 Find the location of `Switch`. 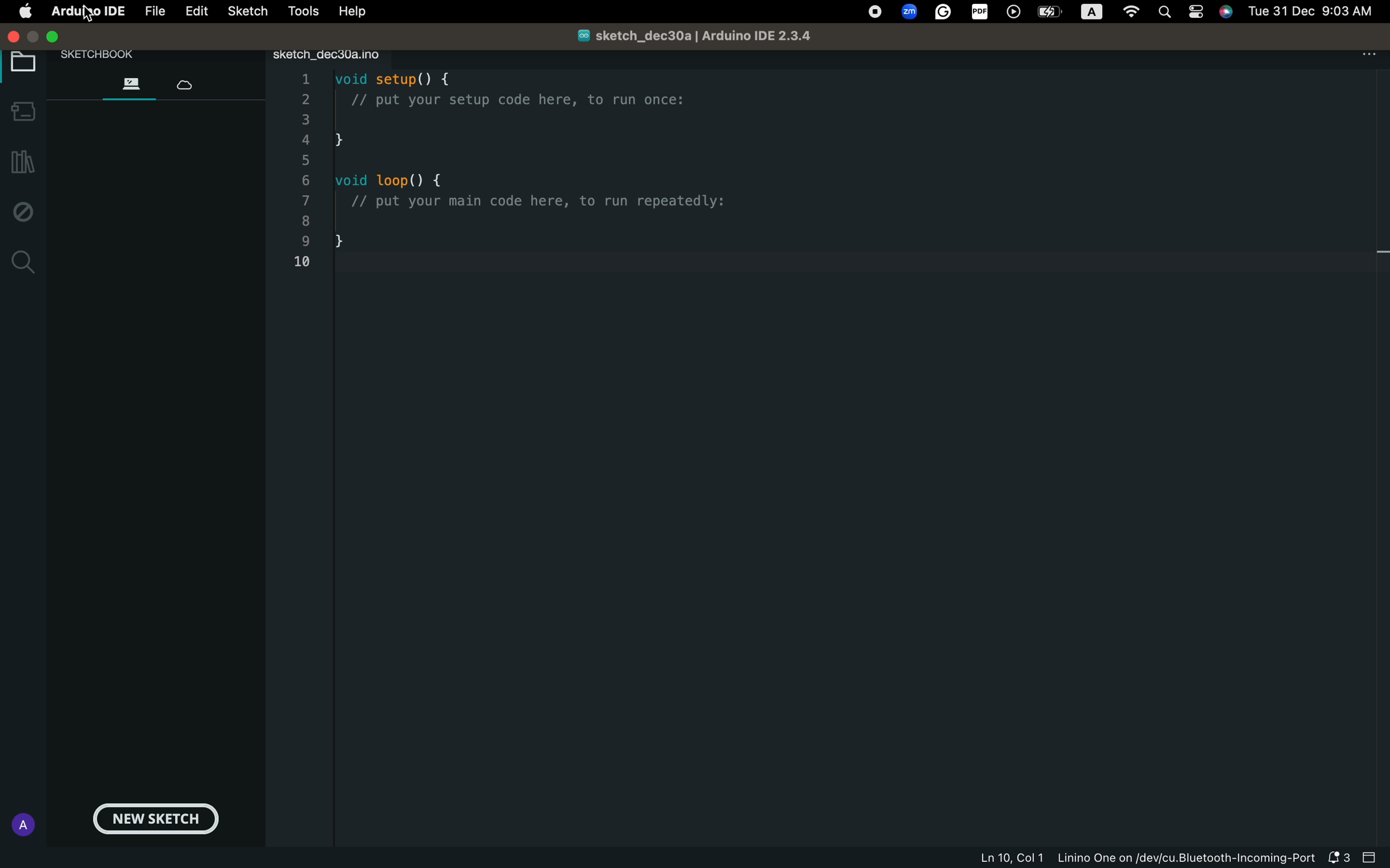

Switch is located at coordinates (1197, 13).